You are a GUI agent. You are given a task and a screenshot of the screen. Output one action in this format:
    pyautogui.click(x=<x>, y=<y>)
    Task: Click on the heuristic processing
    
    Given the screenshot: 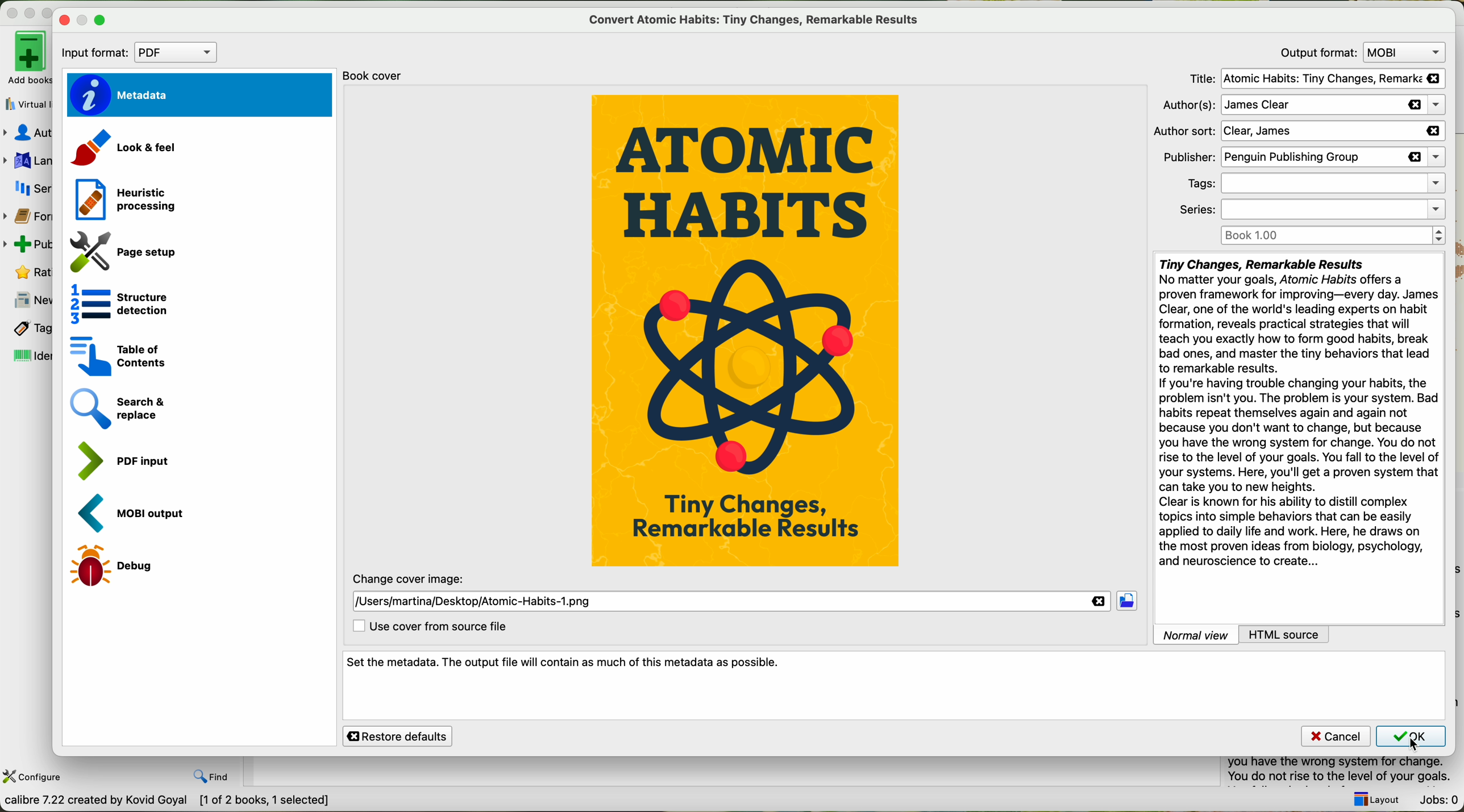 What is the action you would take?
    pyautogui.click(x=124, y=199)
    